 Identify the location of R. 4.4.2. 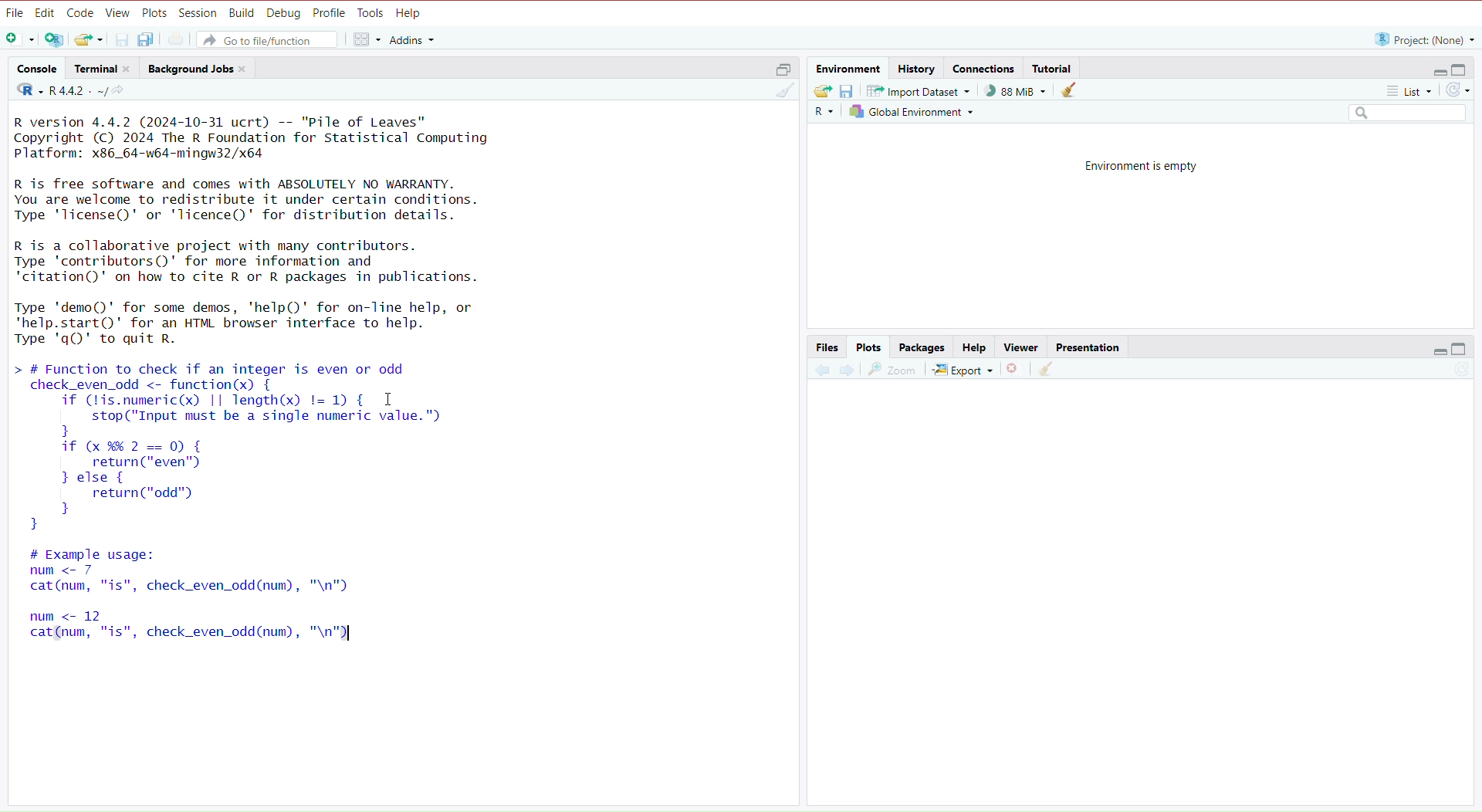
(59, 91).